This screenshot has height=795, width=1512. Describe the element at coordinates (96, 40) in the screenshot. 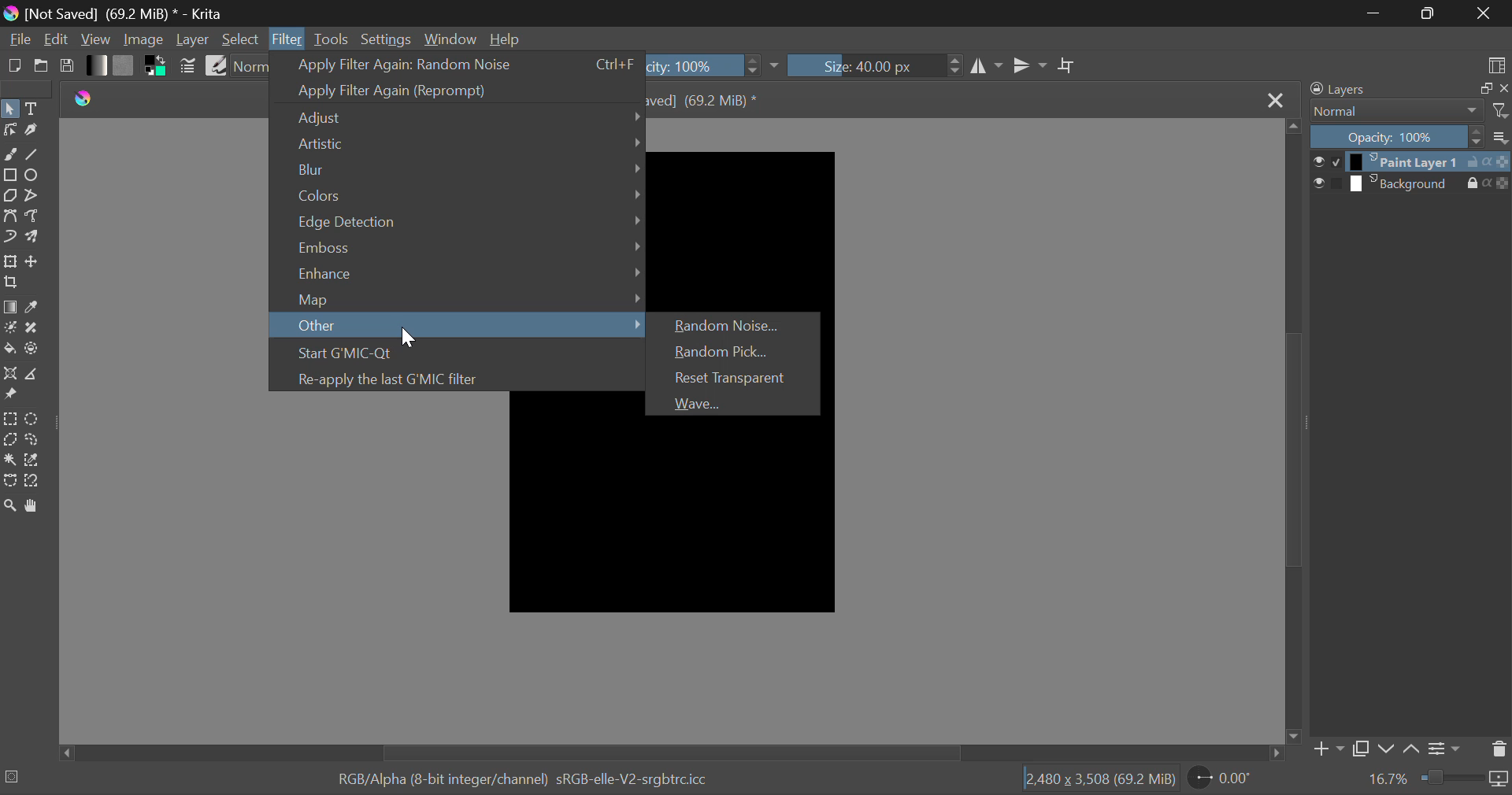

I see `View` at that location.